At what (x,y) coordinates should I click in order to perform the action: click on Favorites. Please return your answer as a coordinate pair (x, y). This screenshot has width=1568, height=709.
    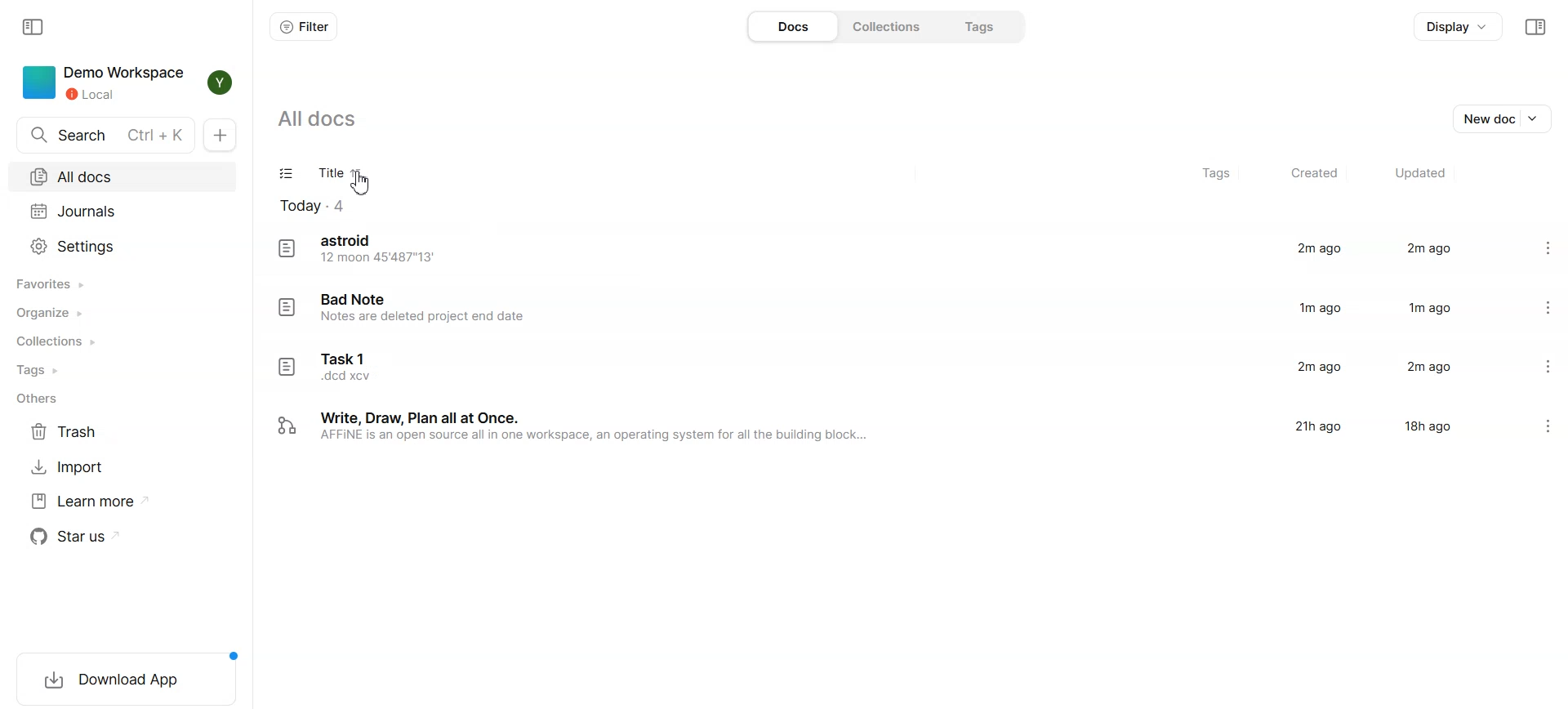
    Looking at the image, I should click on (70, 285).